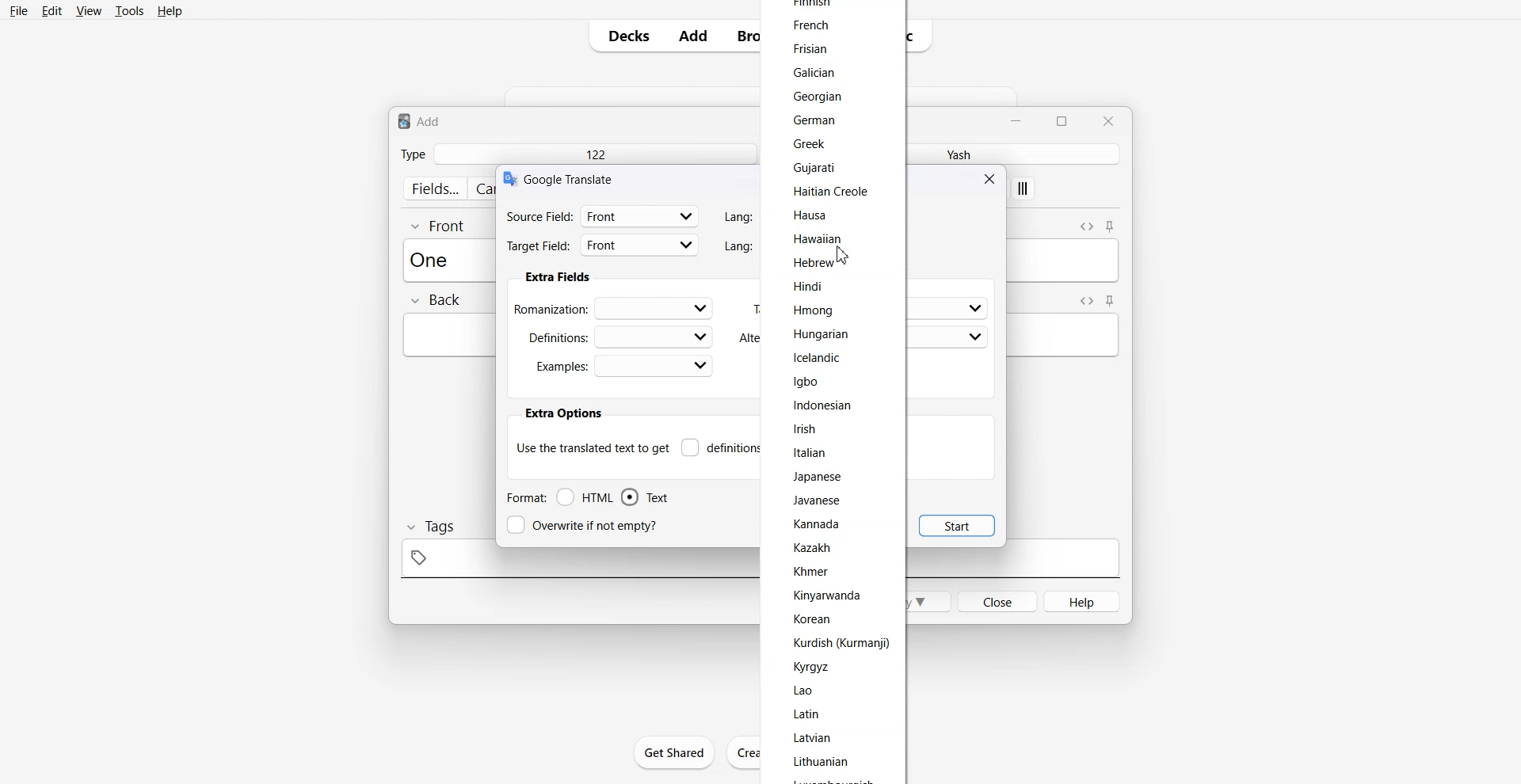  I want to click on dropdown, so click(976, 337).